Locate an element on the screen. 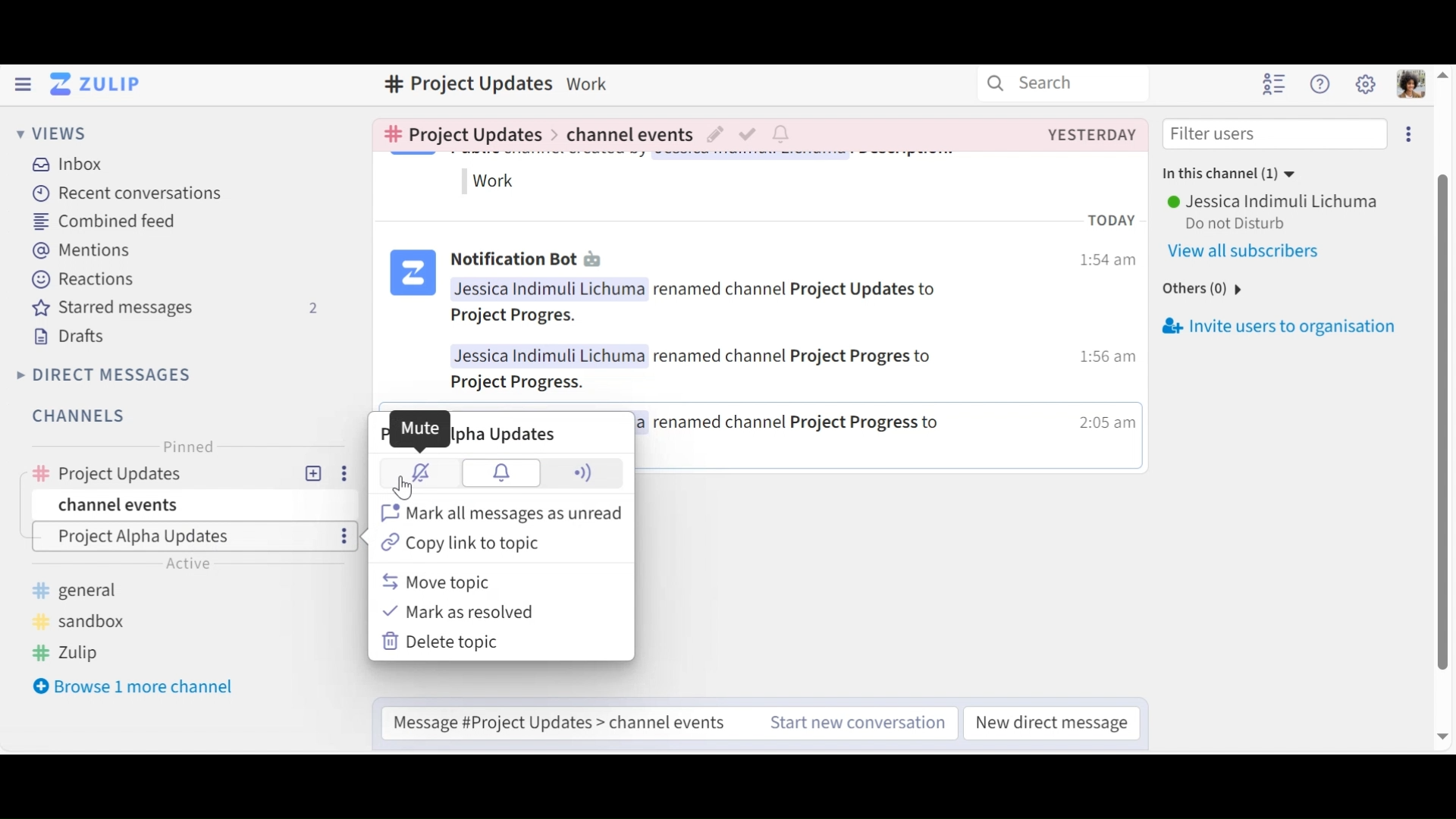 This screenshot has width=1456, height=819. Mark as resolved is located at coordinates (750, 136).